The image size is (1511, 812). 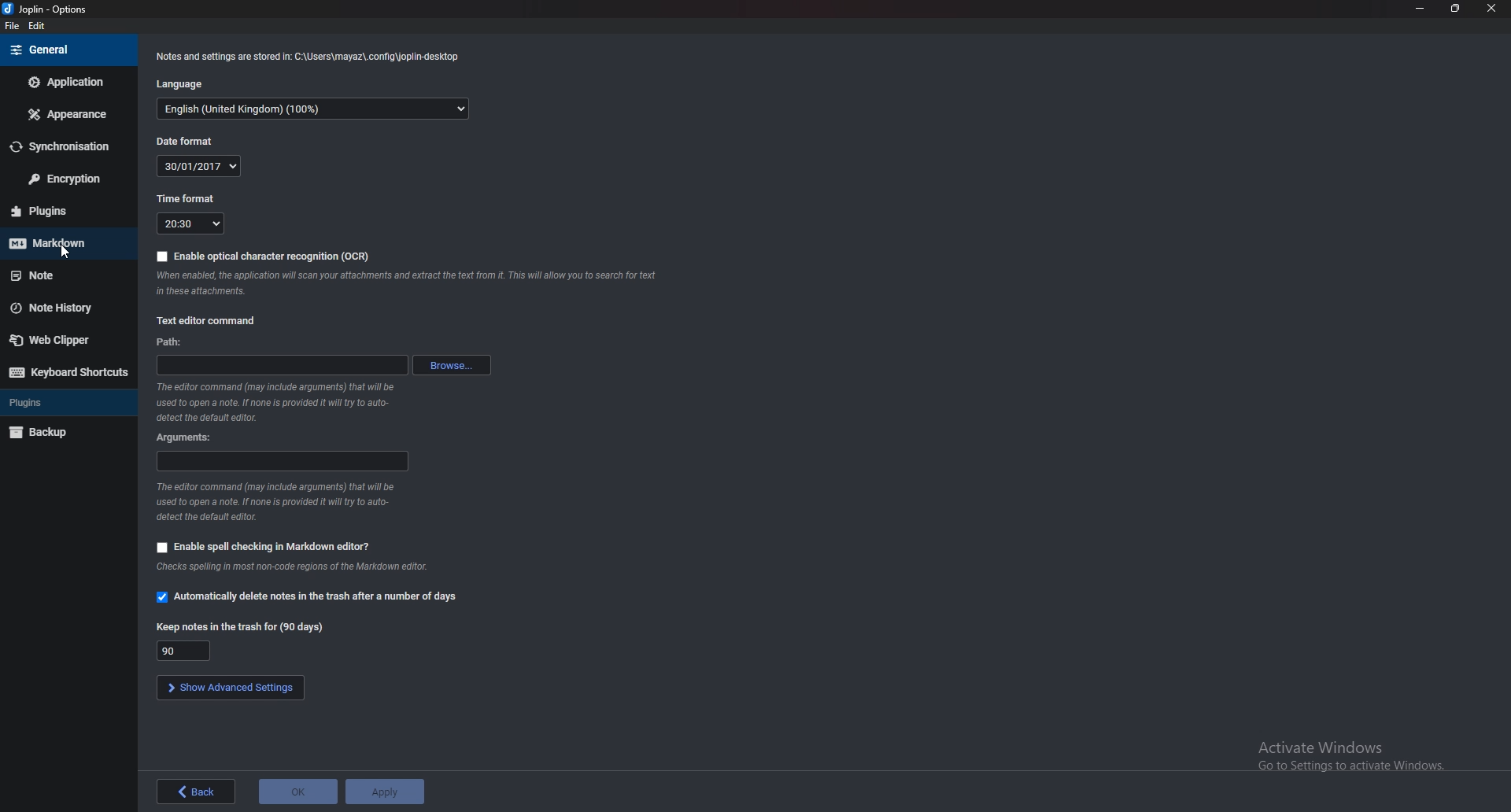 I want to click on Synchronization, so click(x=68, y=147).